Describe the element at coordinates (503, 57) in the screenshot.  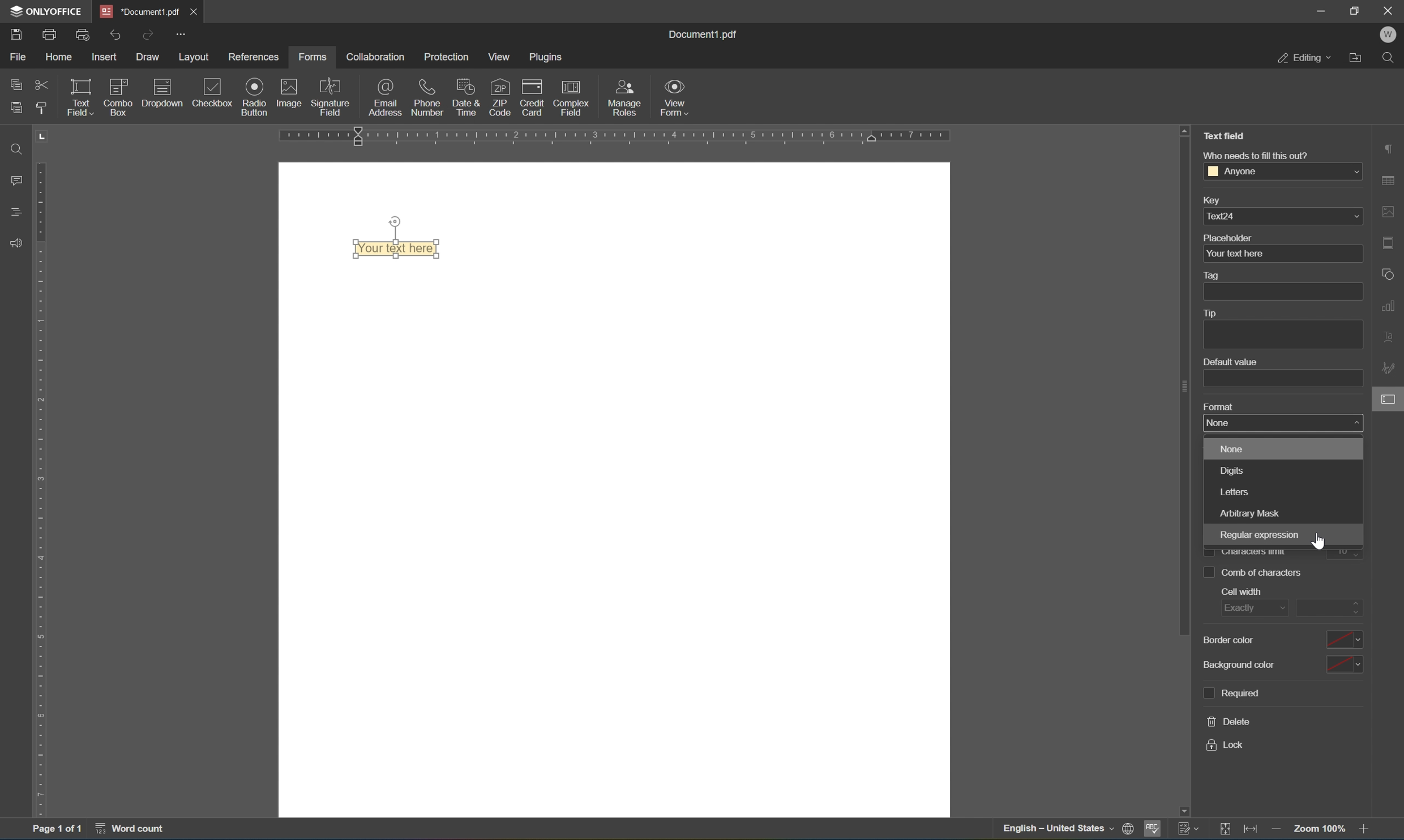
I see `view` at that location.